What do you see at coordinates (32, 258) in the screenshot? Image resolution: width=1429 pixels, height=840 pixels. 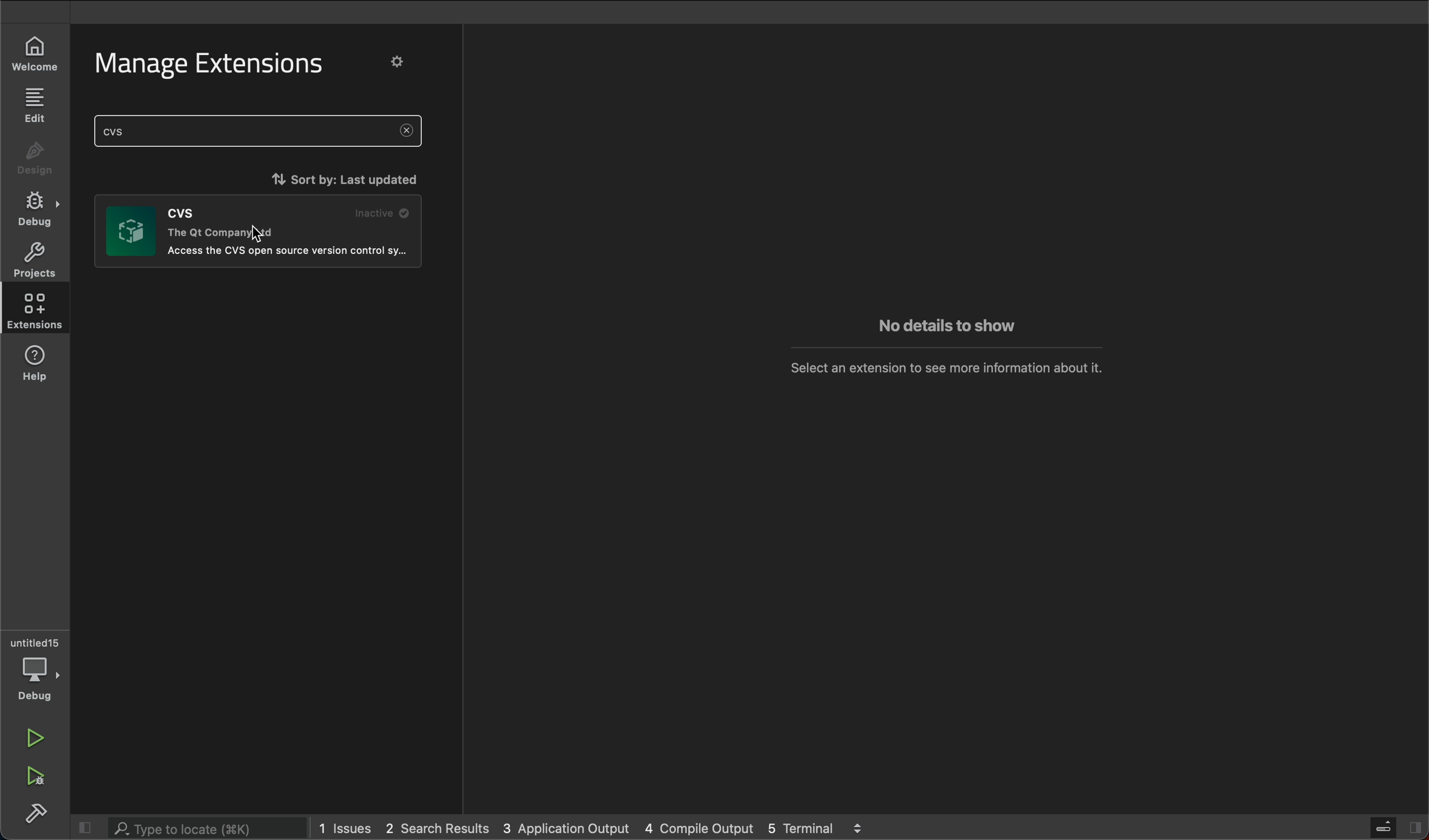 I see `projects` at bounding box center [32, 258].